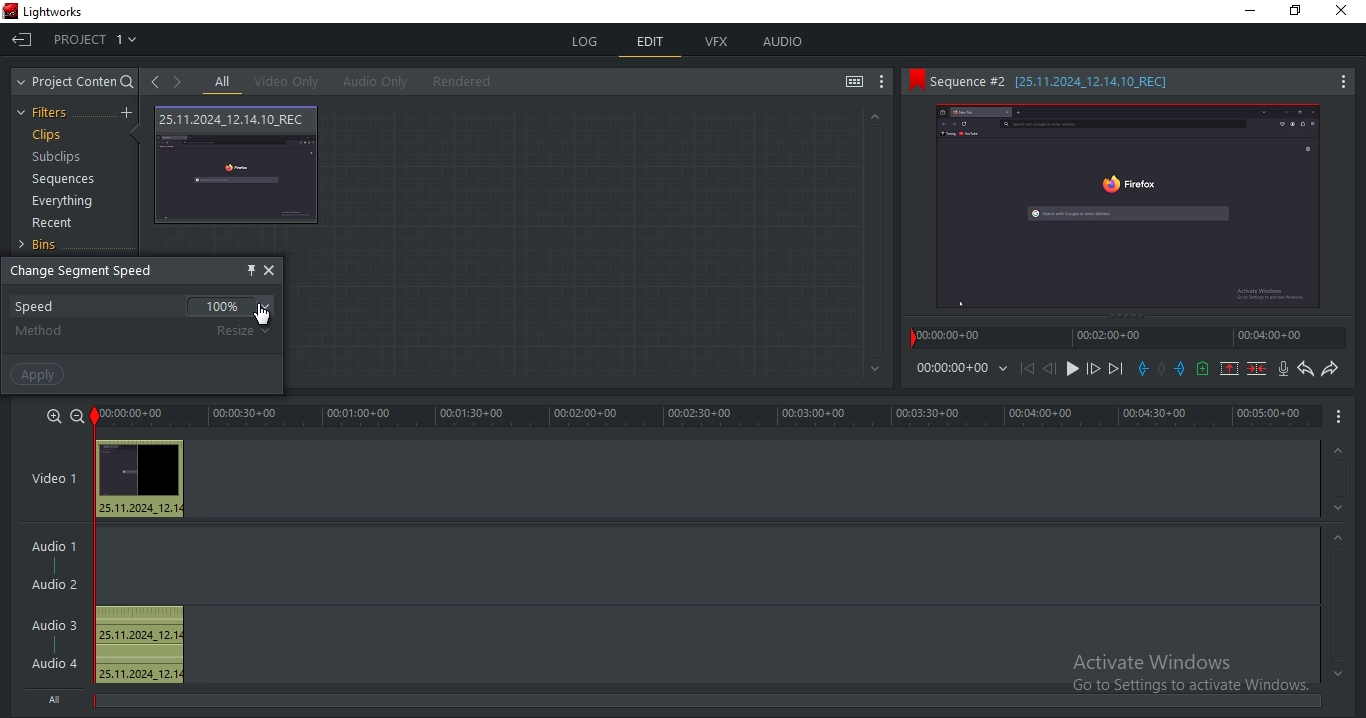 The width and height of the screenshot is (1366, 718). I want to click on vfx, so click(721, 43).